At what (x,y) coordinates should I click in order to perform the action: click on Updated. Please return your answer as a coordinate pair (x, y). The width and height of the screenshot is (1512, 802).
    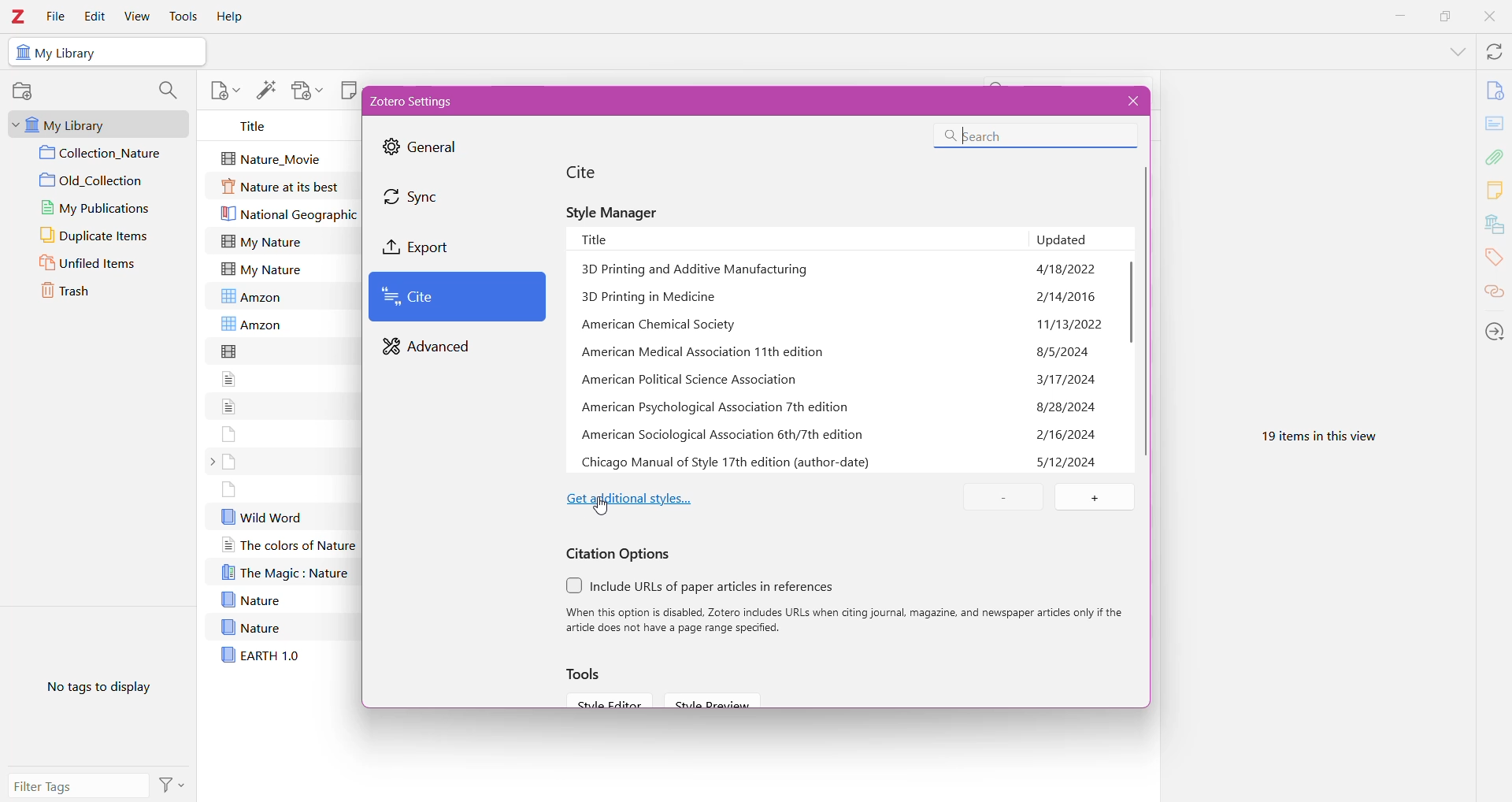
    Looking at the image, I should click on (1080, 239).